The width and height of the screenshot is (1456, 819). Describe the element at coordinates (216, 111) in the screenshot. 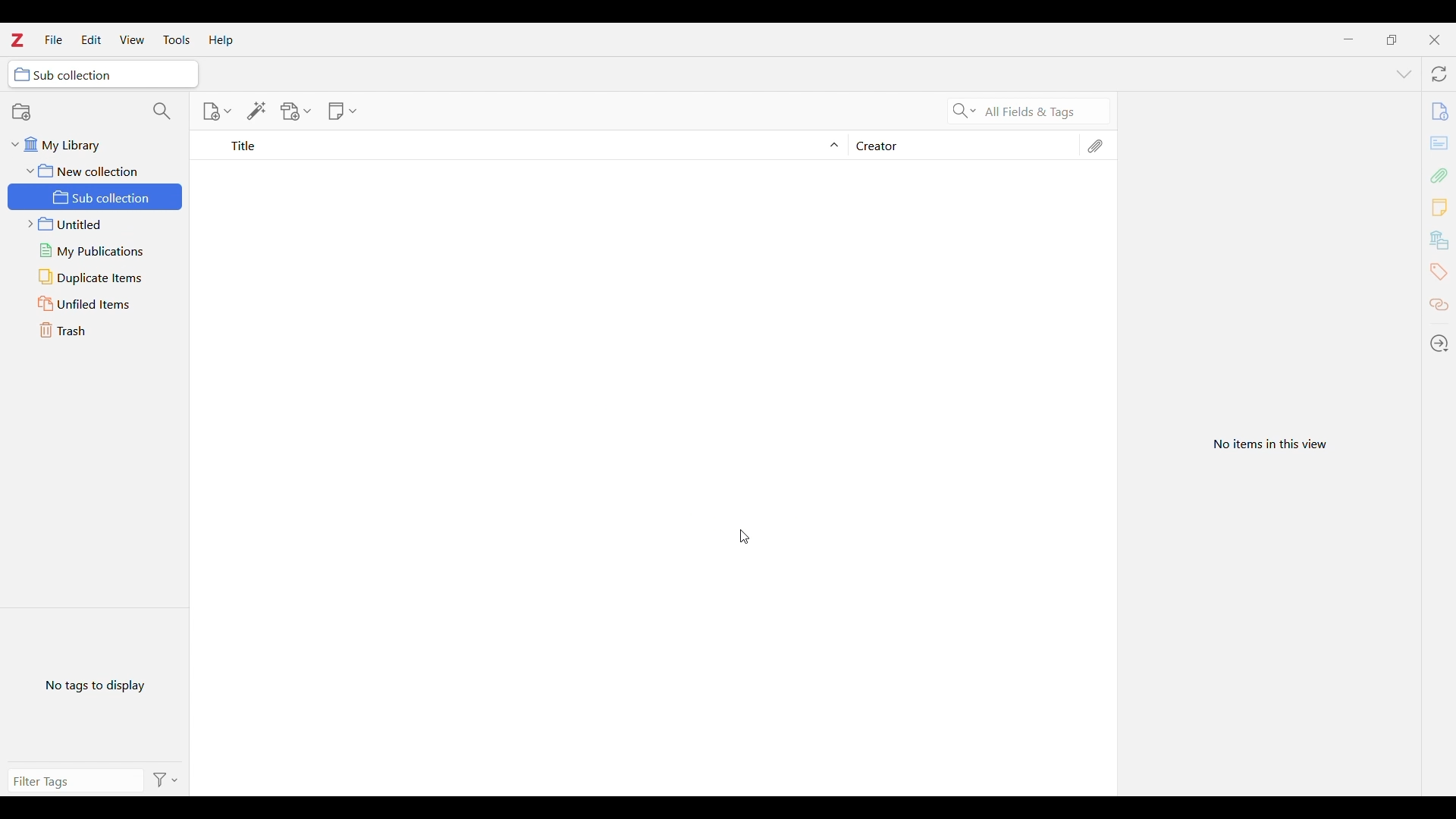

I see `New item options` at that location.